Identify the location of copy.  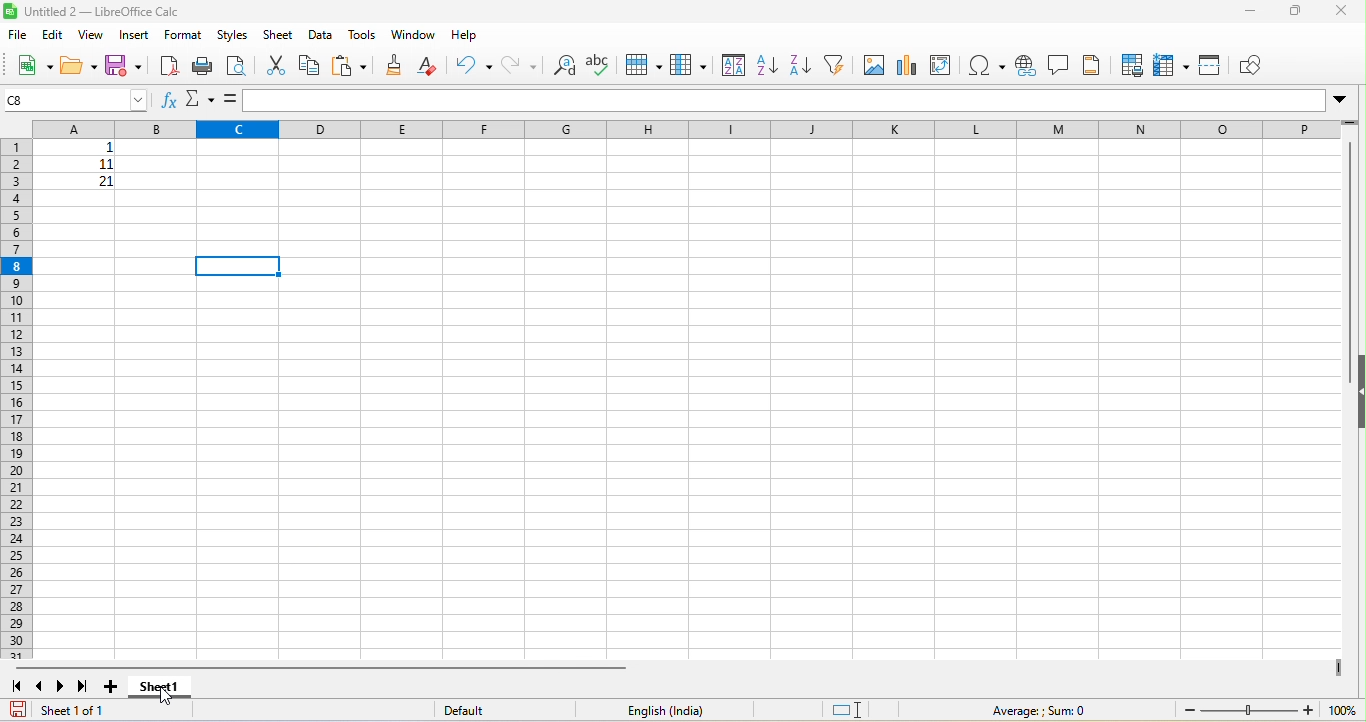
(310, 67).